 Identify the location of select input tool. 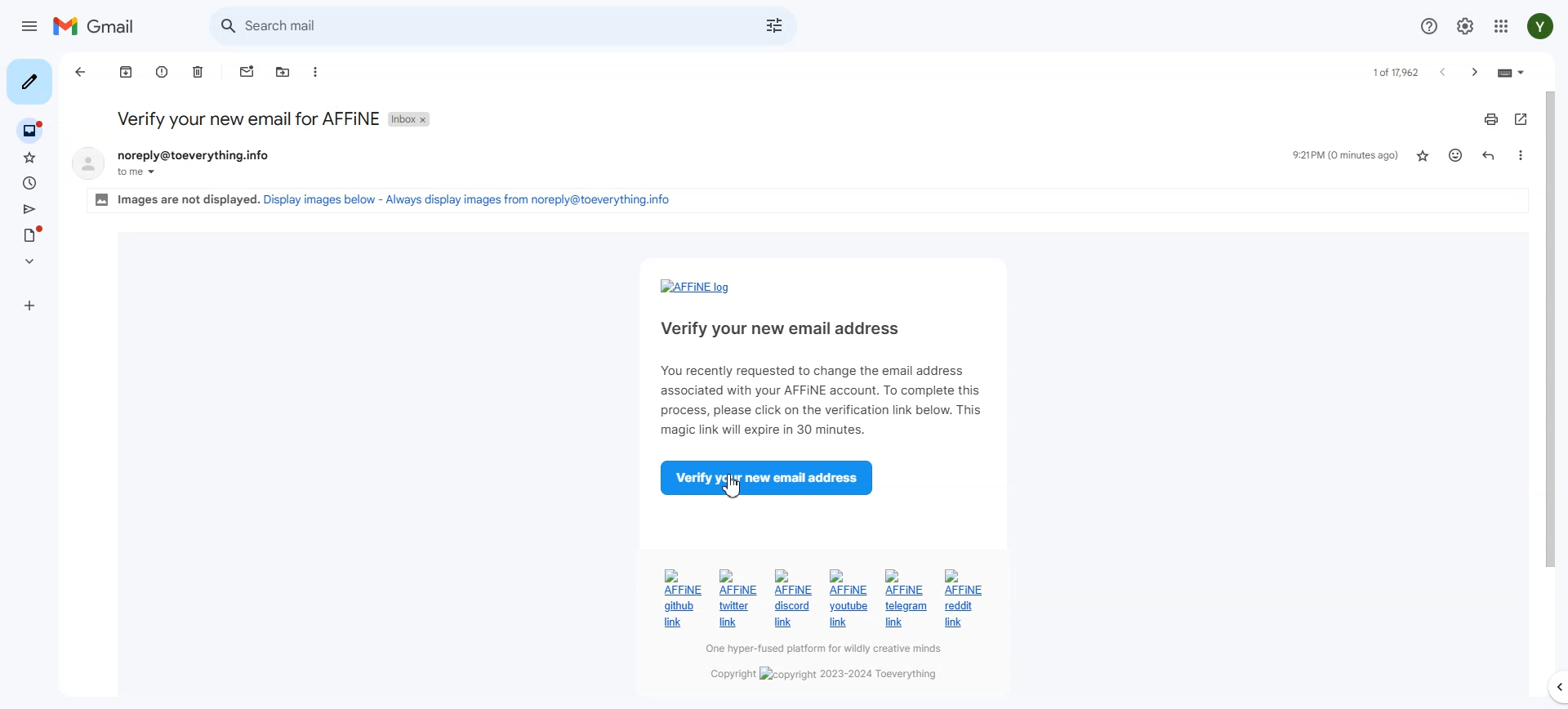
(1522, 73).